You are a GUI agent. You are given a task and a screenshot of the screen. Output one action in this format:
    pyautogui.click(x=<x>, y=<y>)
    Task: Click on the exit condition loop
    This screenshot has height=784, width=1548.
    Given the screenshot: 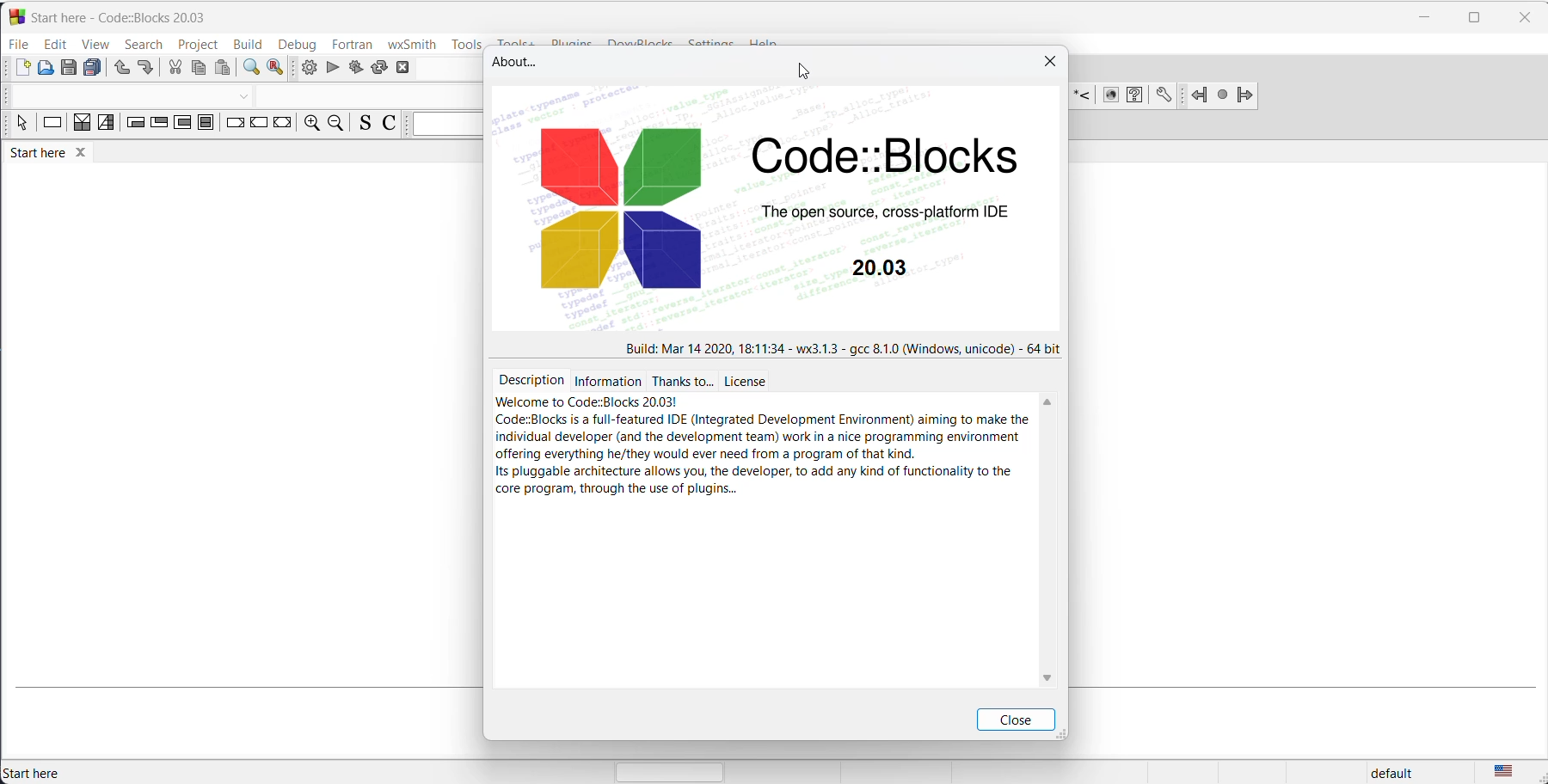 What is the action you would take?
    pyautogui.click(x=159, y=126)
    